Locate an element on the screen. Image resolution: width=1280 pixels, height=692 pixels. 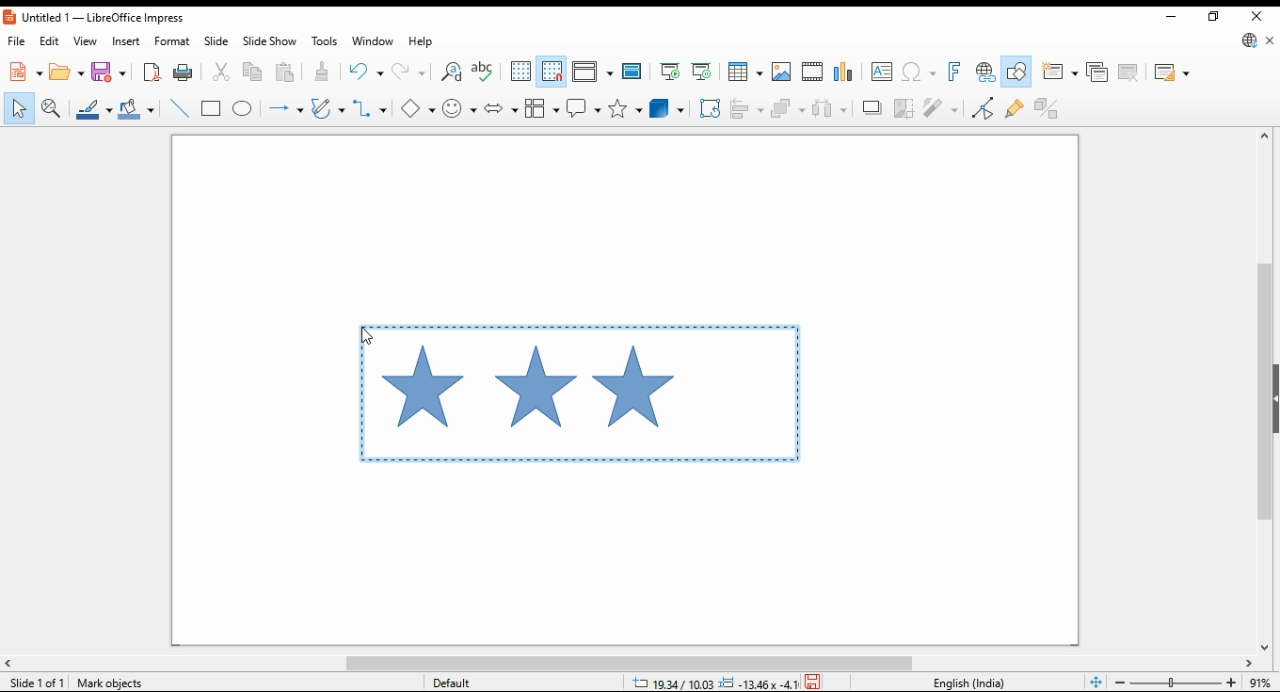
3D objects is located at coordinates (665, 108).